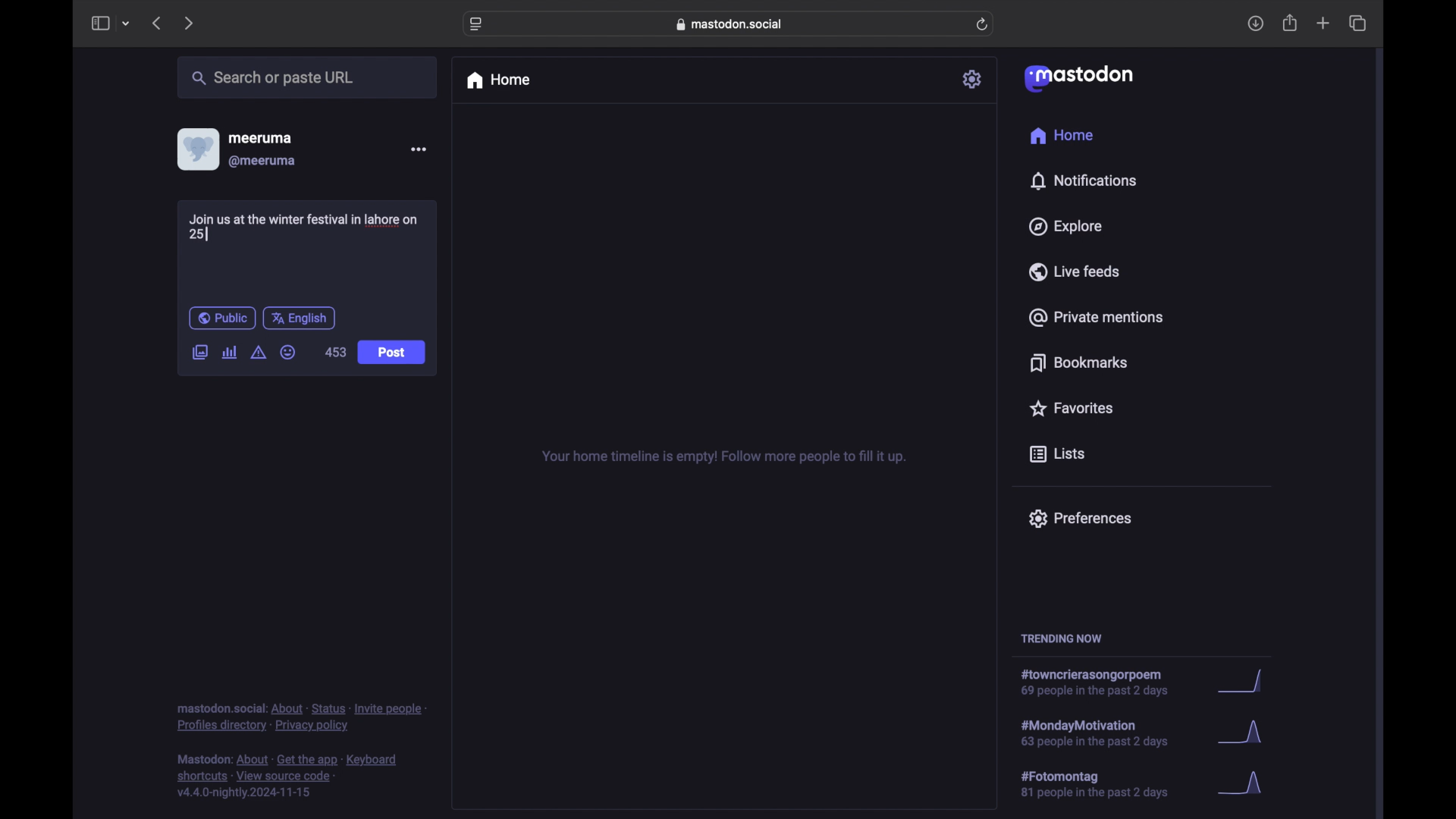 The height and width of the screenshot is (819, 1456). What do you see at coordinates (733, 24) in the screenshot?
I see `web address` at bounding box center [733, 24].